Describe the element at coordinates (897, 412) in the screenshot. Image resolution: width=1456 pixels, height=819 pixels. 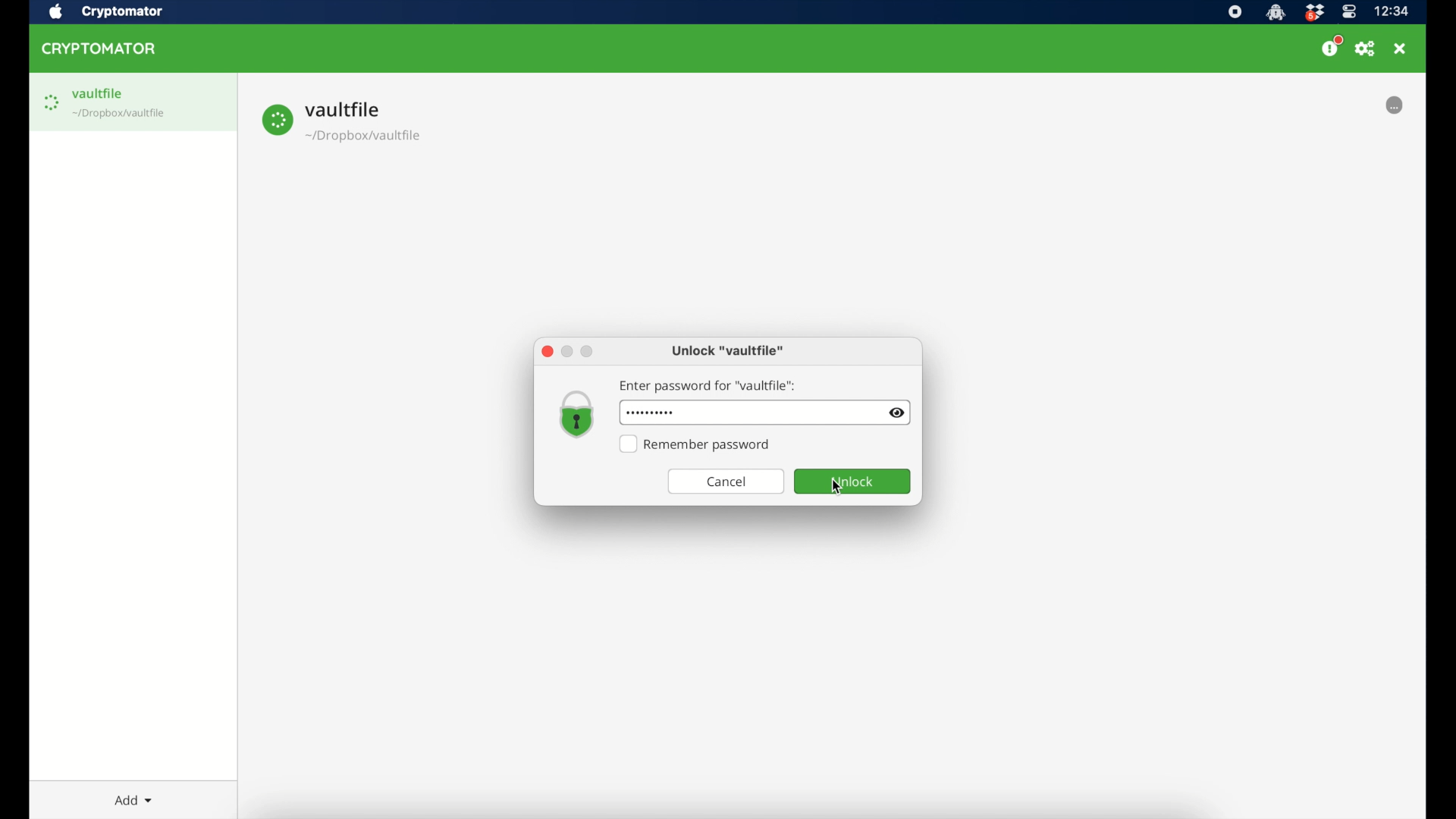
I see `visibility toggle` at that location.